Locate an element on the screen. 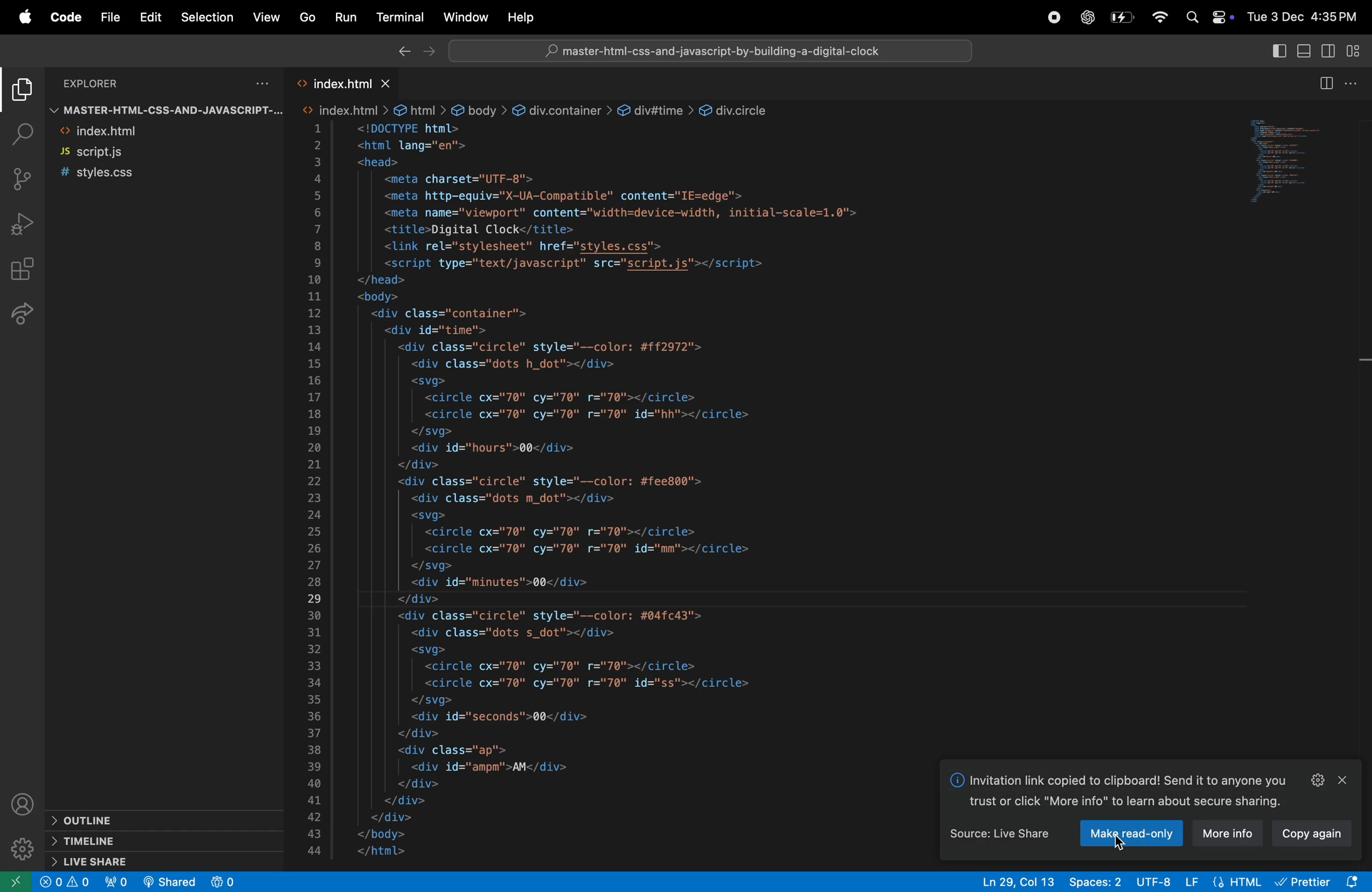  no of port is located at coordinates (118, 882).